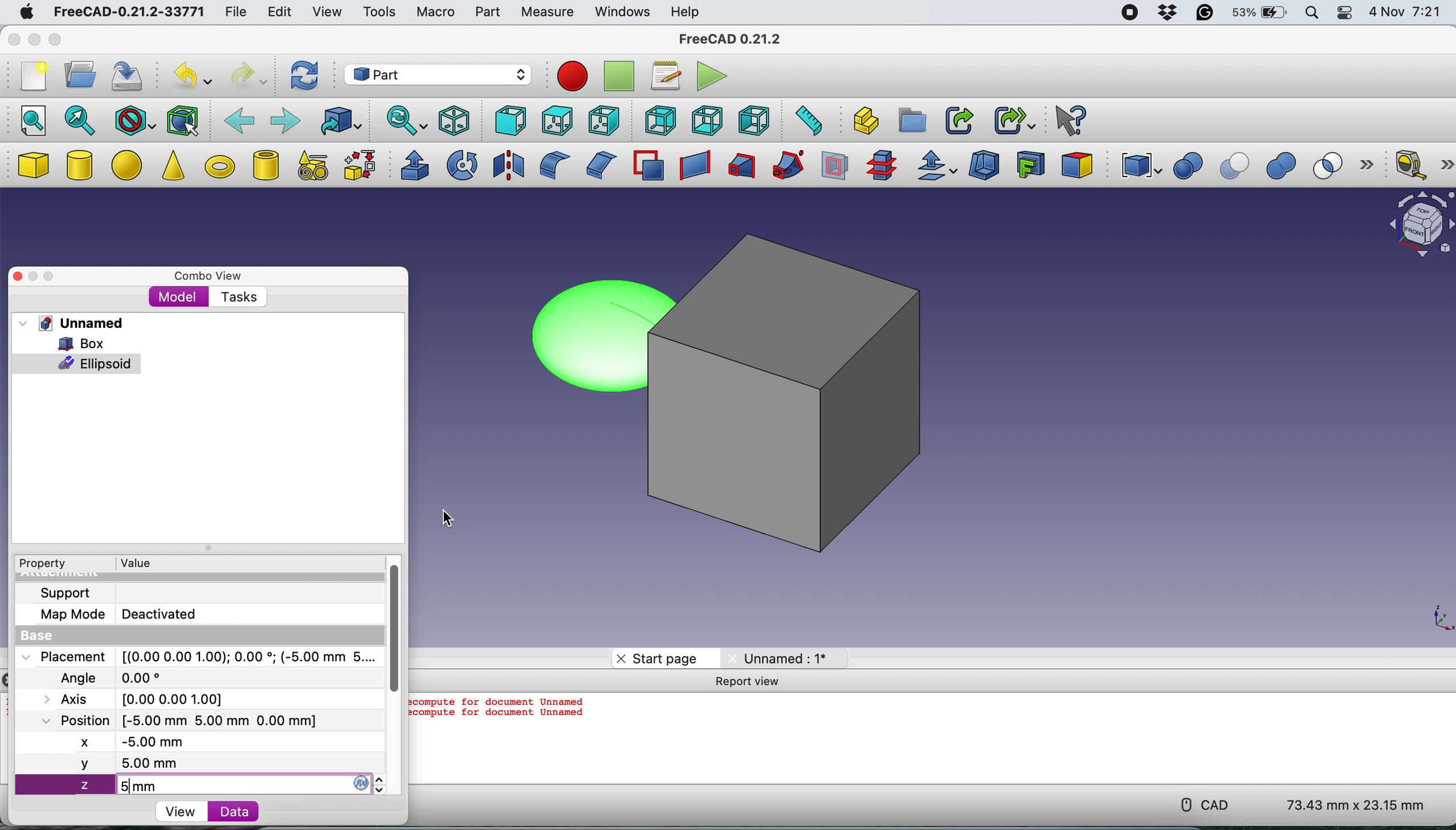 The image size is (1456, 830). I want to click on bottom, so click(708, 121).